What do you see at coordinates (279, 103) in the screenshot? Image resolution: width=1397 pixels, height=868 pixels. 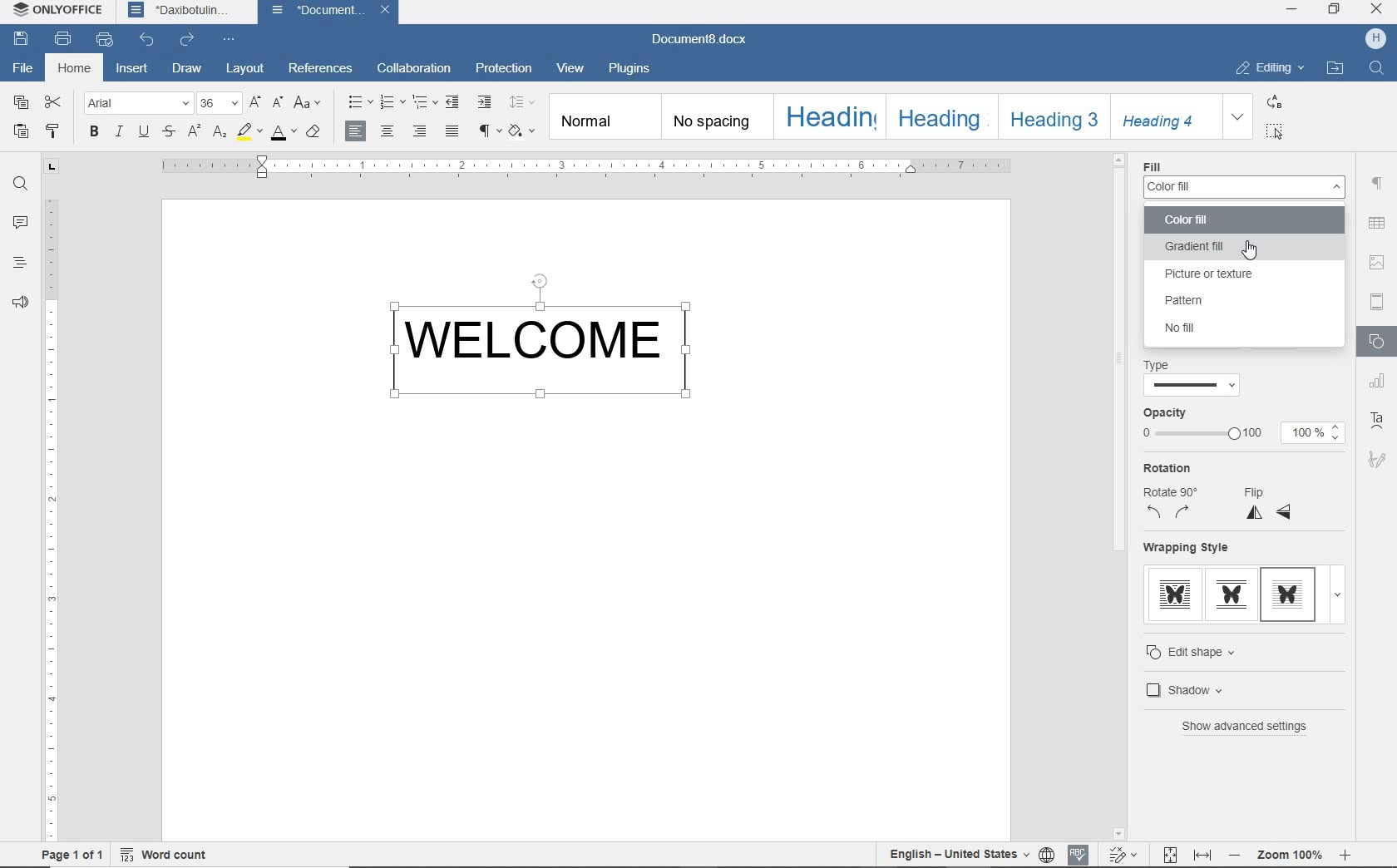 I see `DECREMENT FONT SIZE` at bounding box center [279, 103].